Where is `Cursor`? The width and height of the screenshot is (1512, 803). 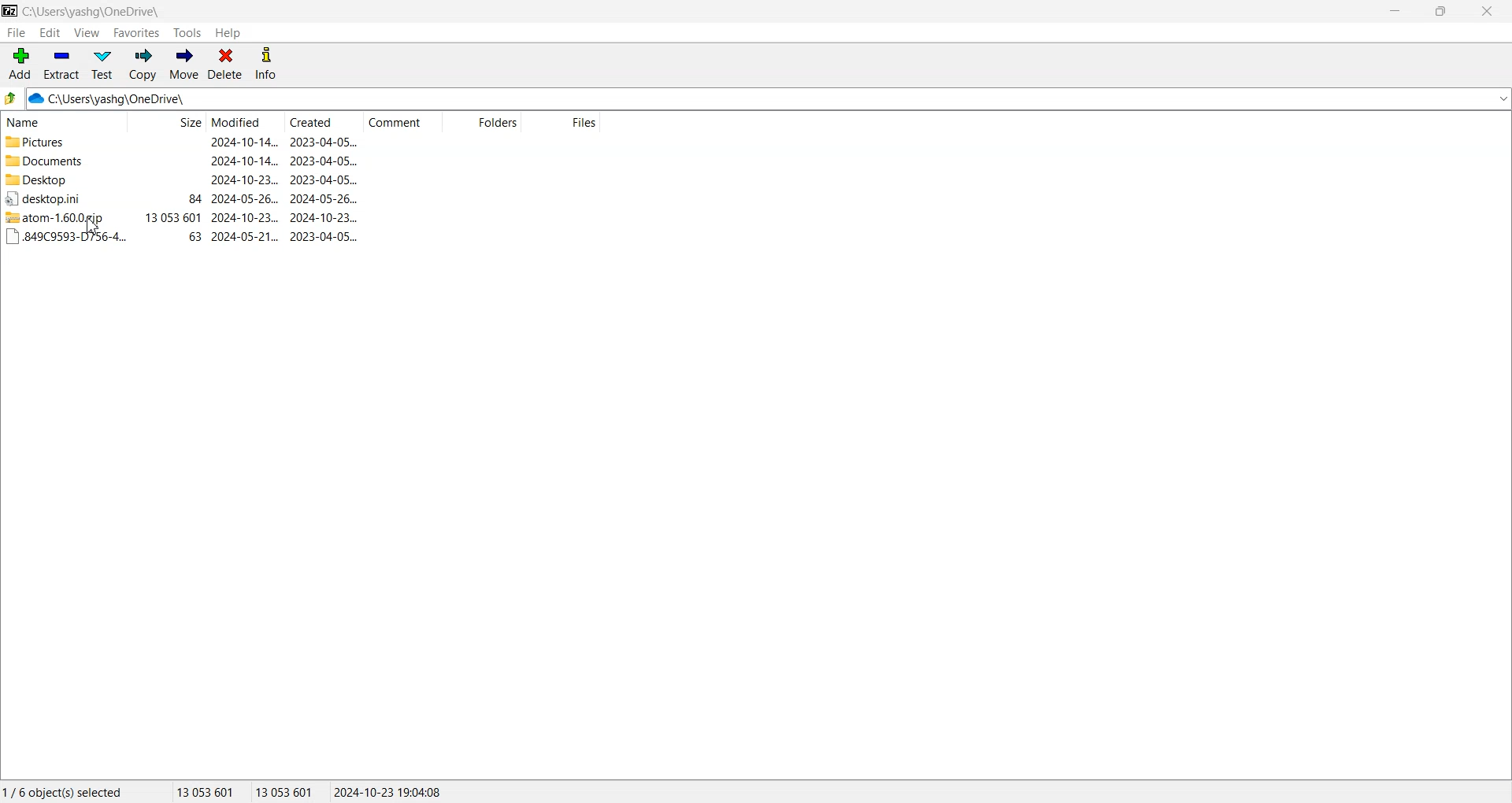
Cursor is located at coordinates (94, 226).